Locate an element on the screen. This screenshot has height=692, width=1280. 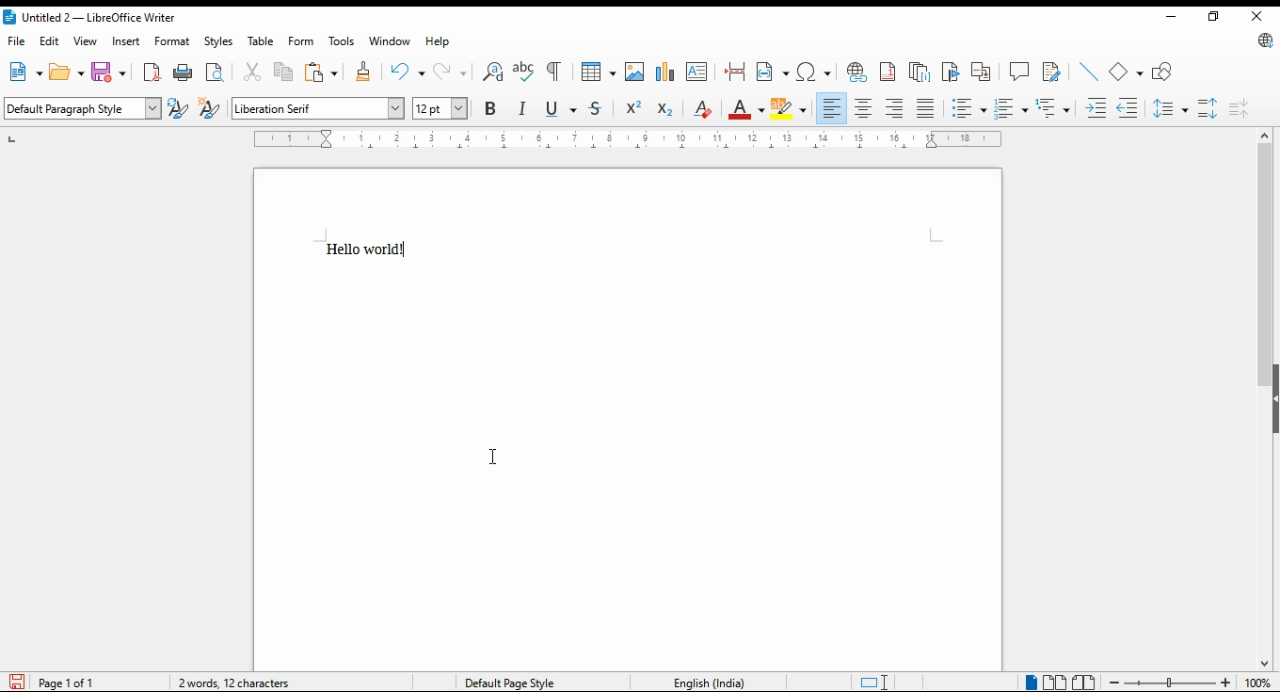
italics is located at coordinates (524, 110).